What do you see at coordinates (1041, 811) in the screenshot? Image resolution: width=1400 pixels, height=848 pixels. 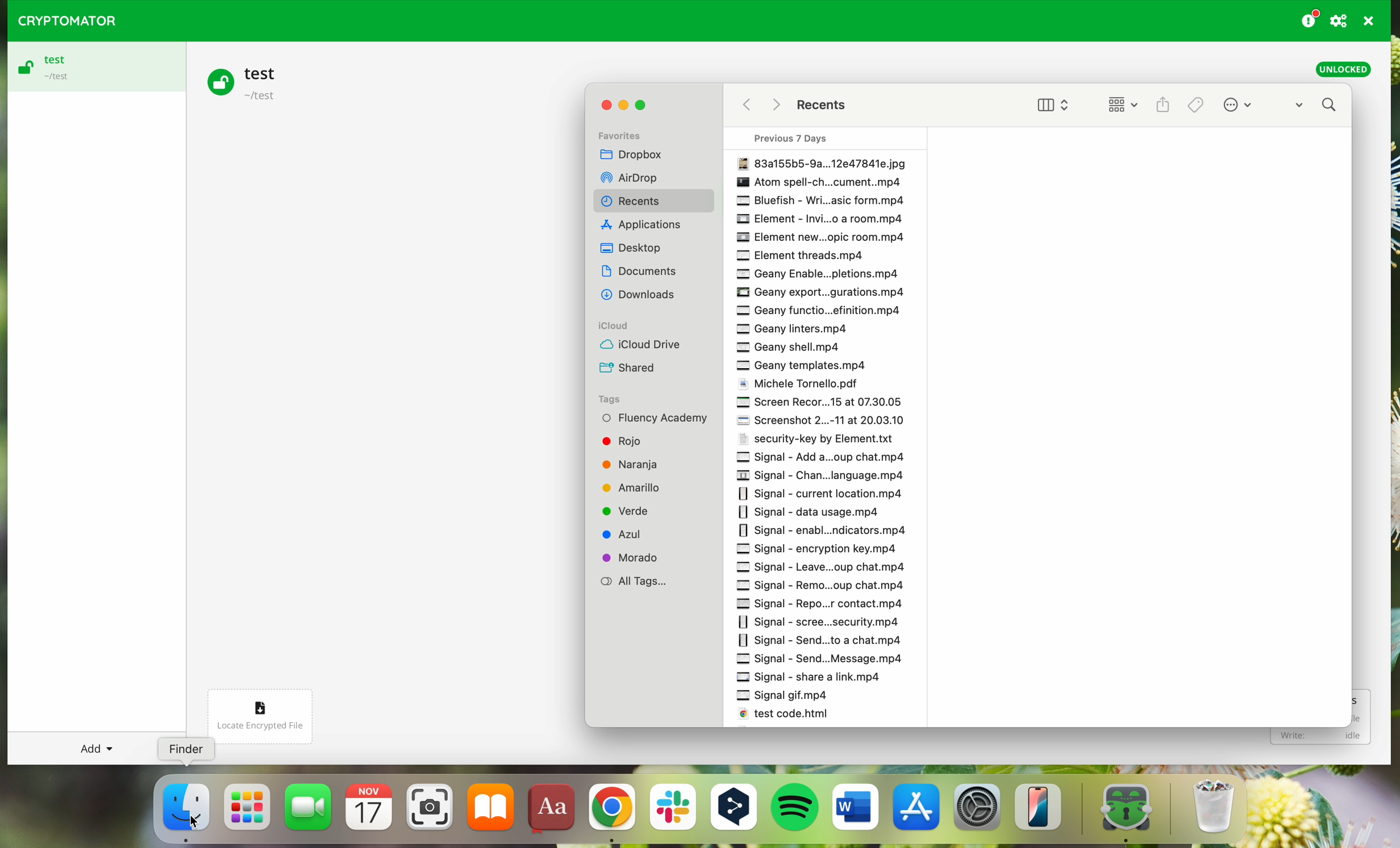 I see `iphone mirroning` at bounding box center [1041, 811].